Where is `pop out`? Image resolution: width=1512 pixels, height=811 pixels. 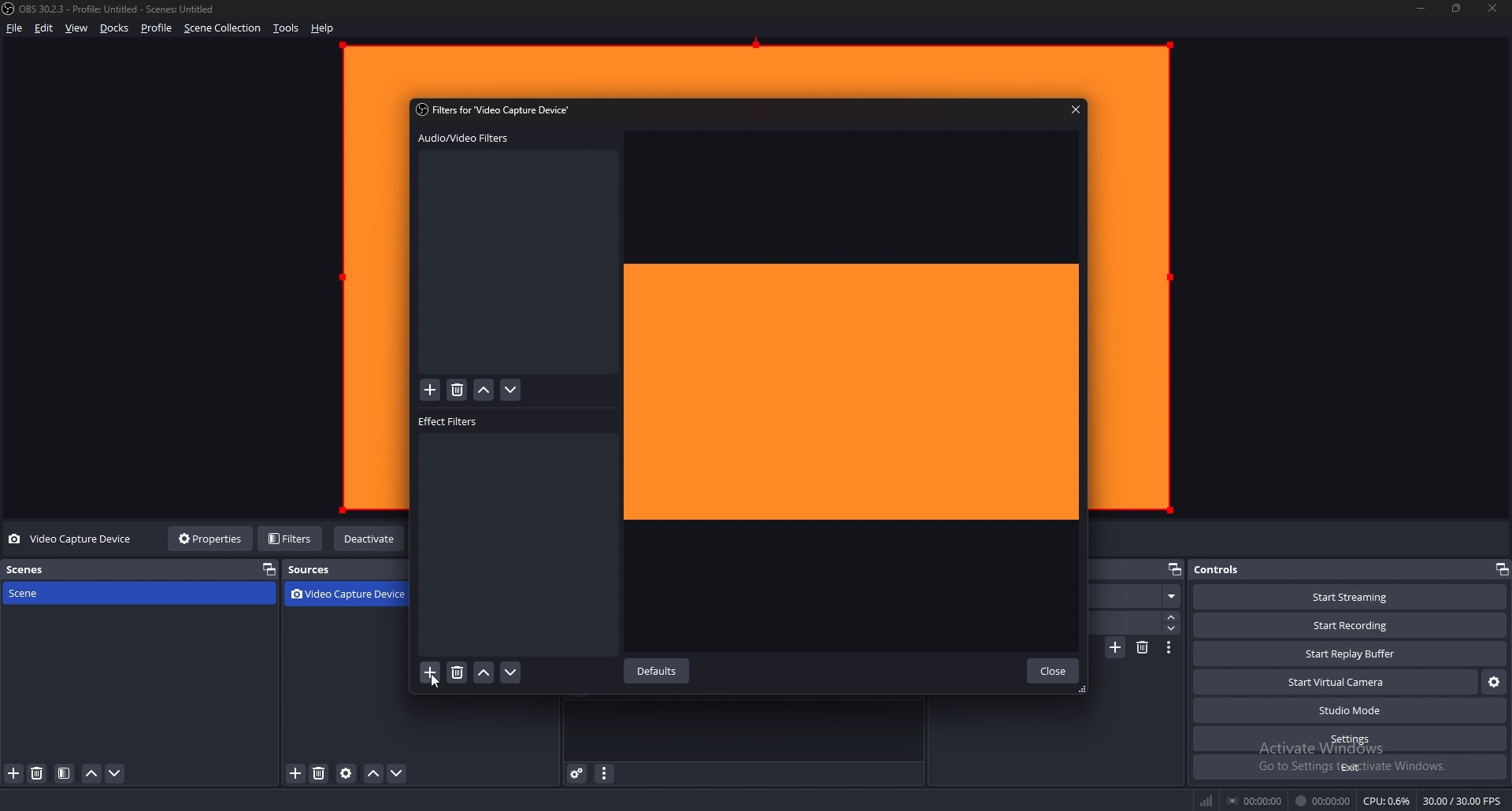
pop out is located at coordinates (1501, 569).